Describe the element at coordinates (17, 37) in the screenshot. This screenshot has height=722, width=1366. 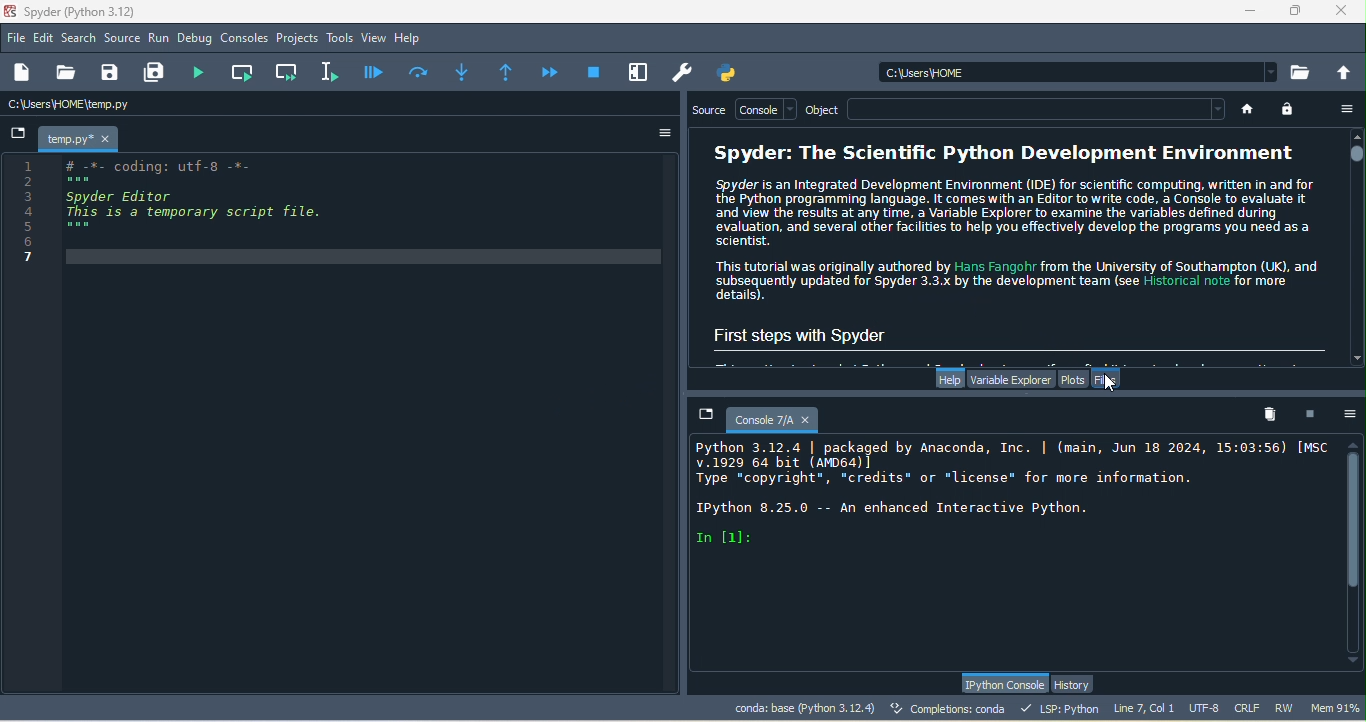
I see `file` at that location.